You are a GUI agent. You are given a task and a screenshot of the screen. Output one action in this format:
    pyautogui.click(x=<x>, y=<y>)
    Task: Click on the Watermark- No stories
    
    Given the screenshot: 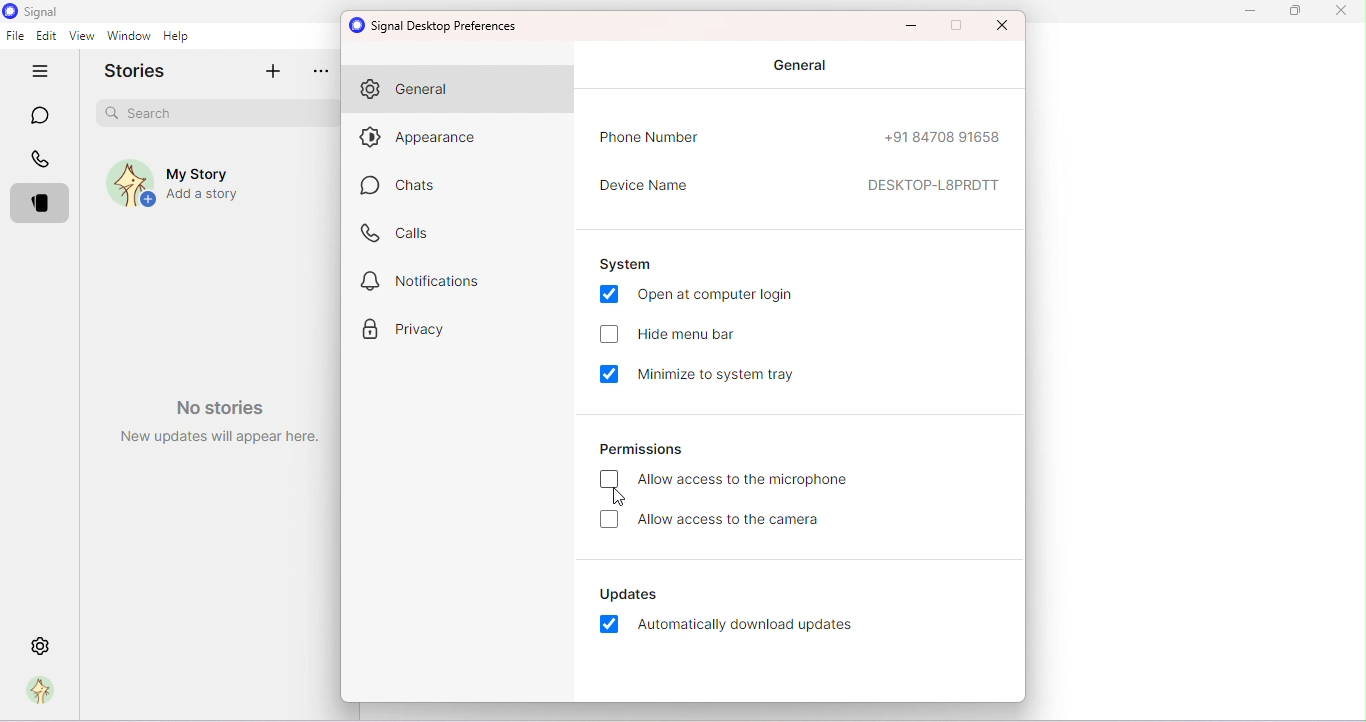 What is the action you would take?
    pyautogui.click(x=218, y=419)
    